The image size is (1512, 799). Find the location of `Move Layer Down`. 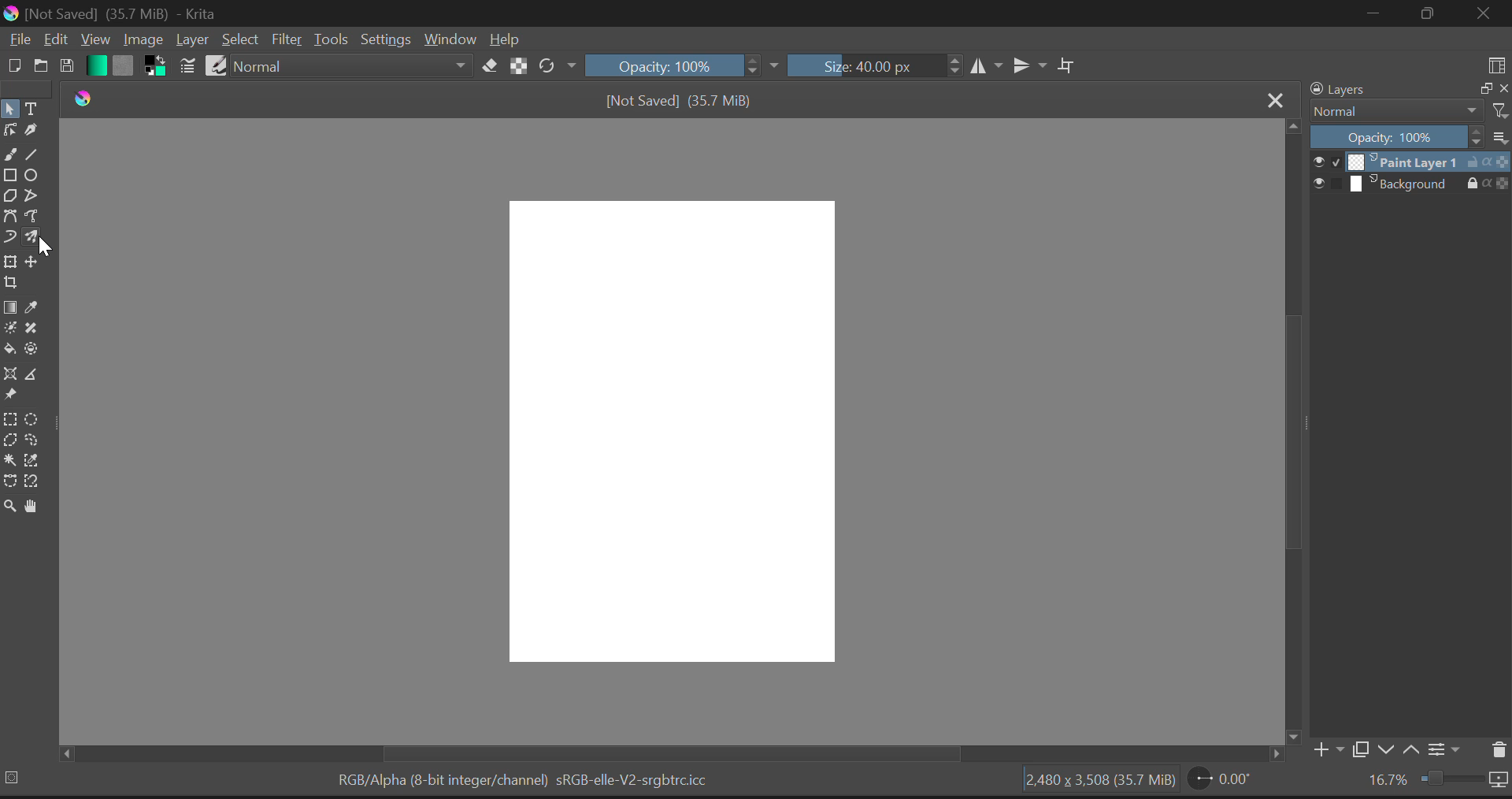

Move Layer Down is located at coordinates (1389, 750).